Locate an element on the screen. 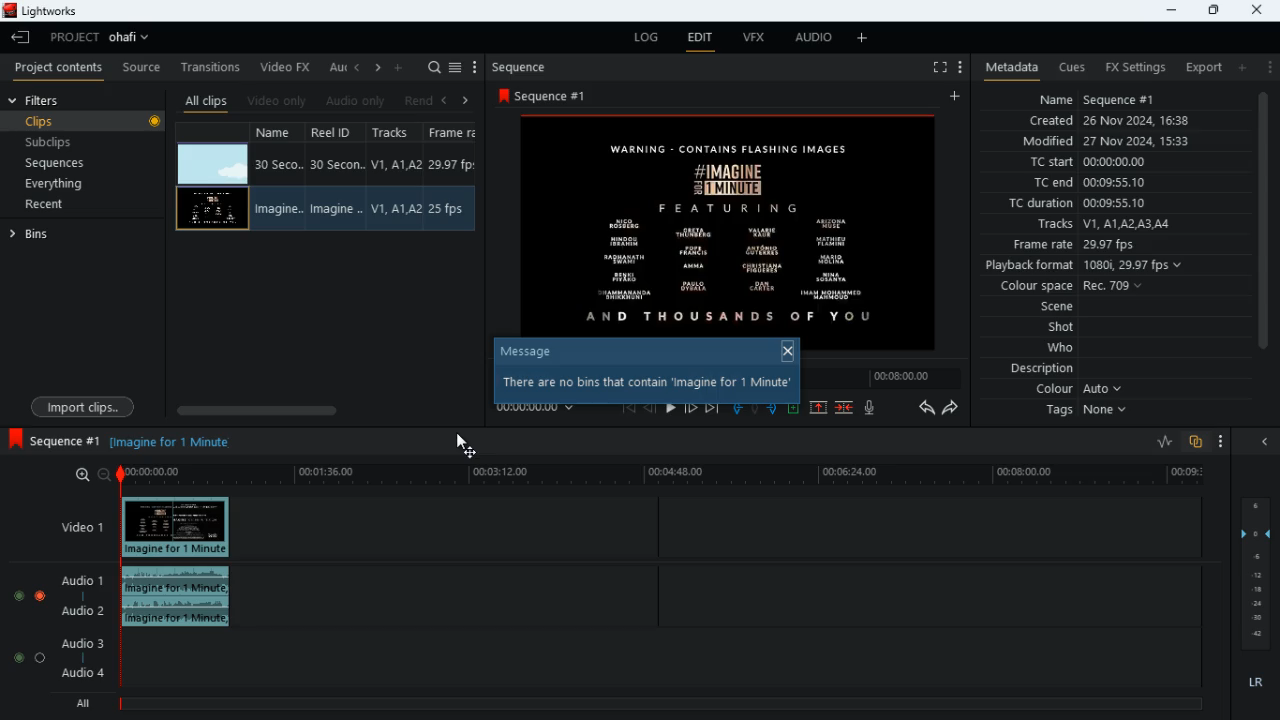  tc end is located at coordinates (1096, 183).